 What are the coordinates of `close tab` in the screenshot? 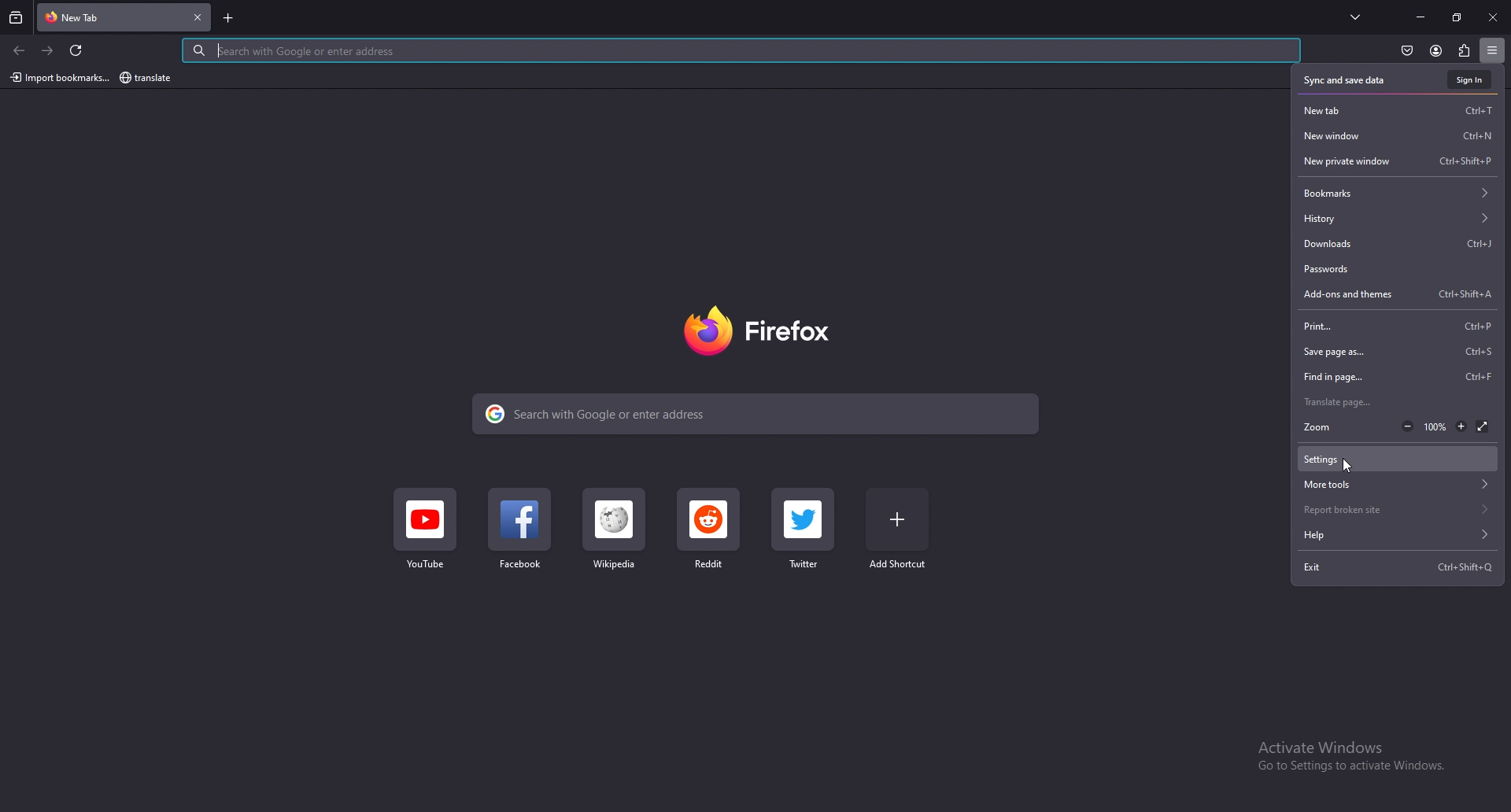 It's located at (200, 17).